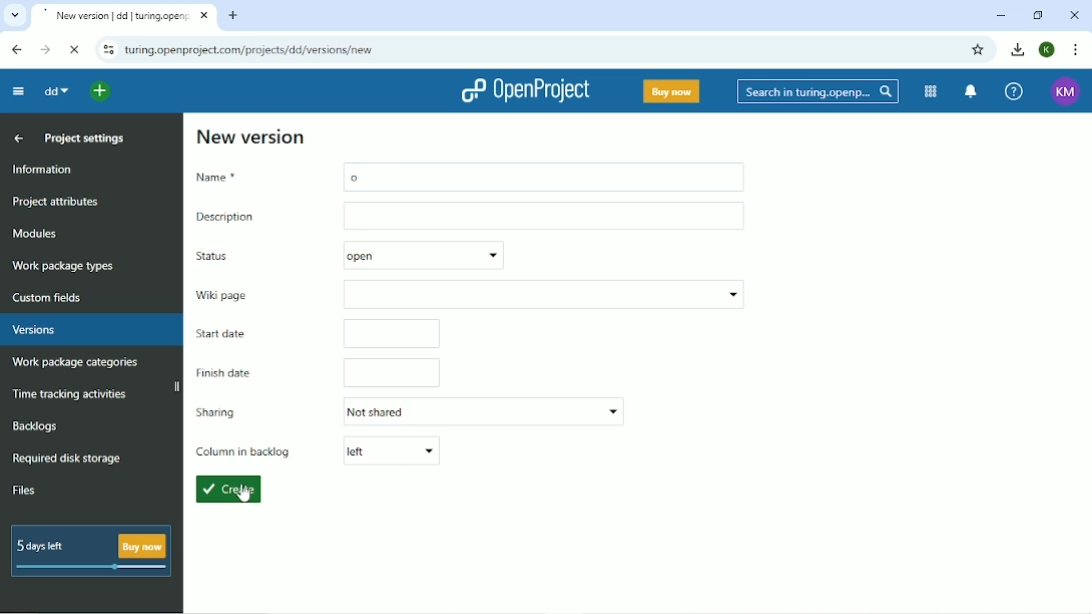  What do you see at coordinates (315, 335) in the screenshot?
I see `Start date` at bounding box center [315, 335].